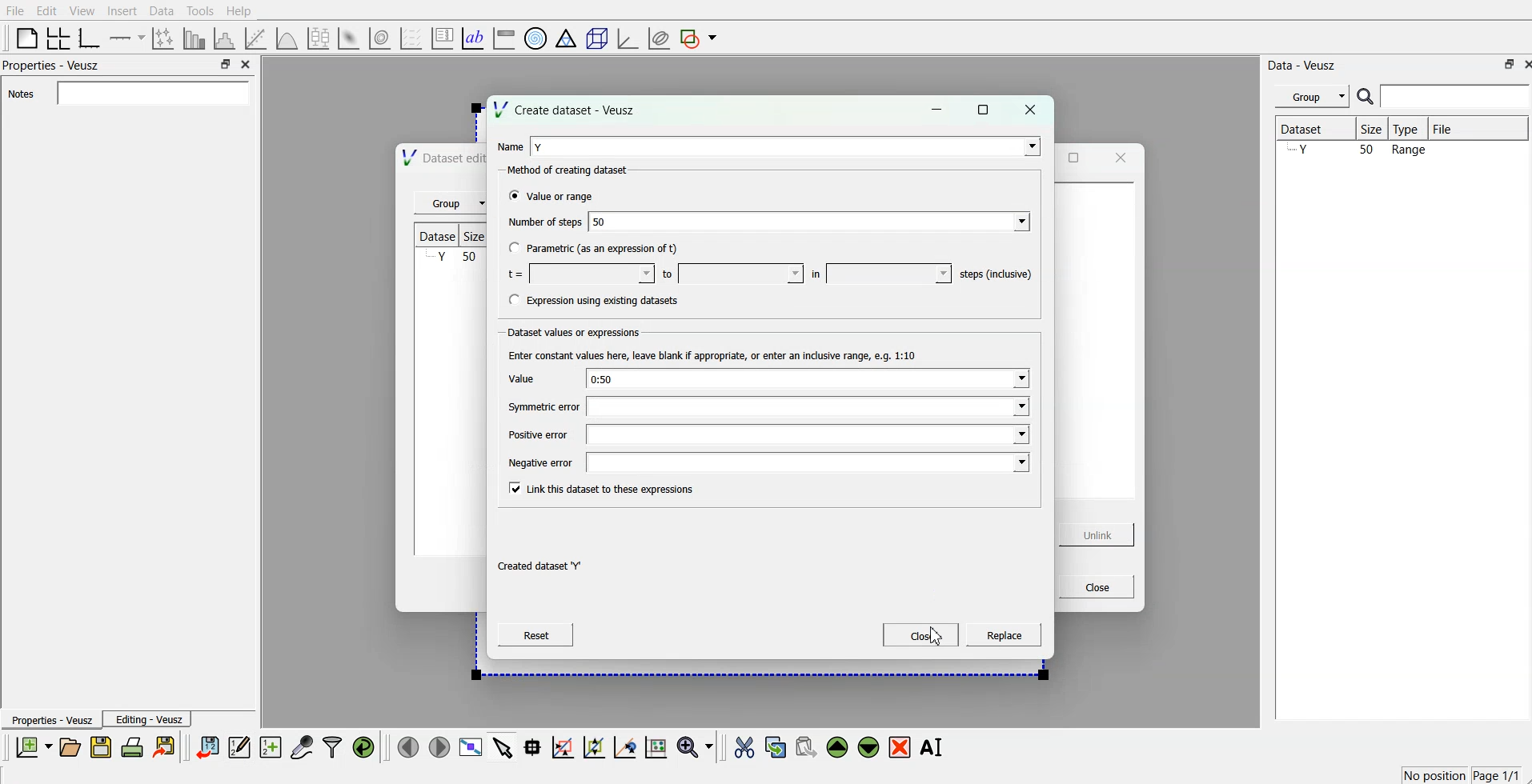  What do you see at coordinates (1005, 636) in the screenshot?
I see `replace` at bounding box center [1005, 636].